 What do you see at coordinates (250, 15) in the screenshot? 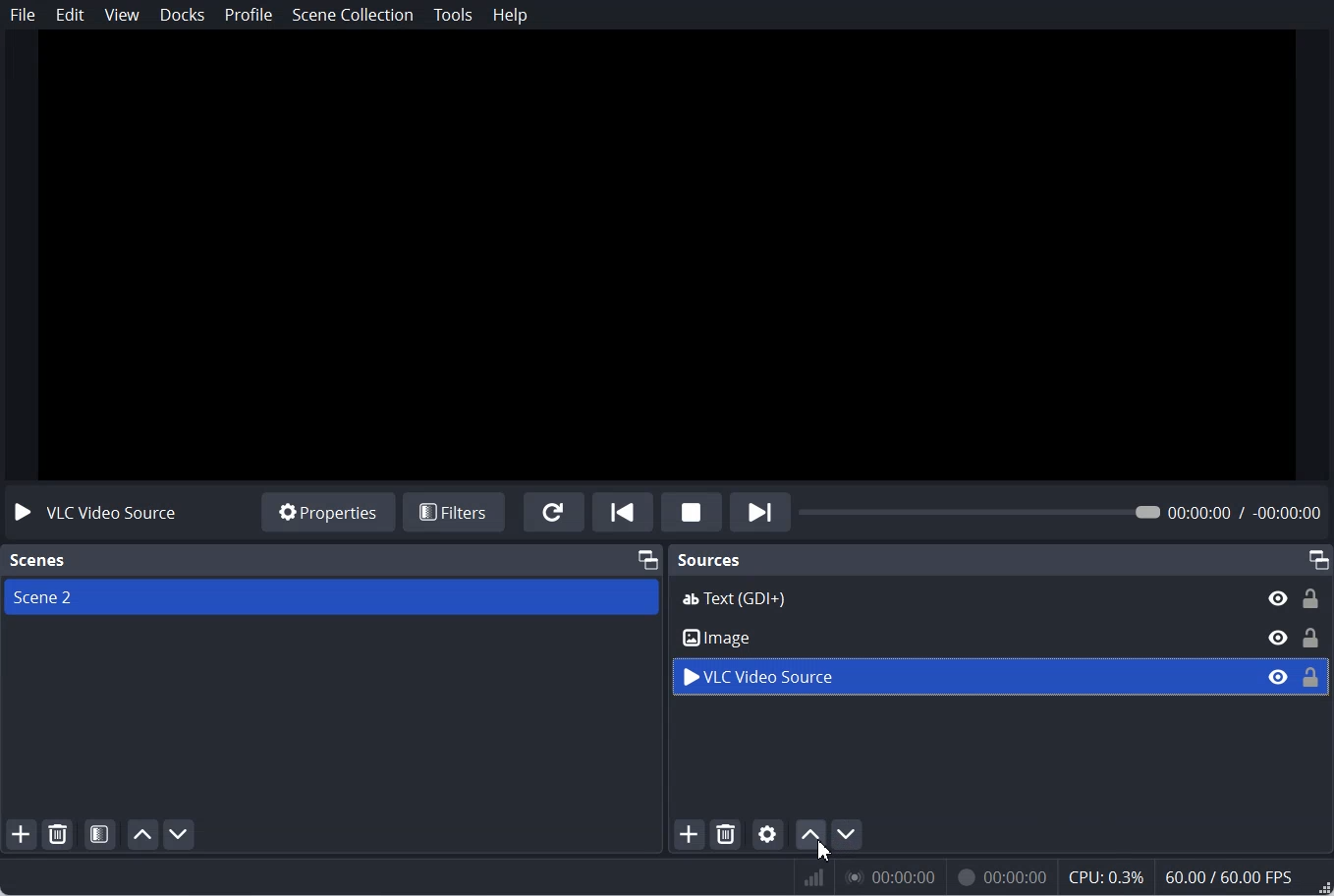
I see `Profile` at bounding box center [250, 15].